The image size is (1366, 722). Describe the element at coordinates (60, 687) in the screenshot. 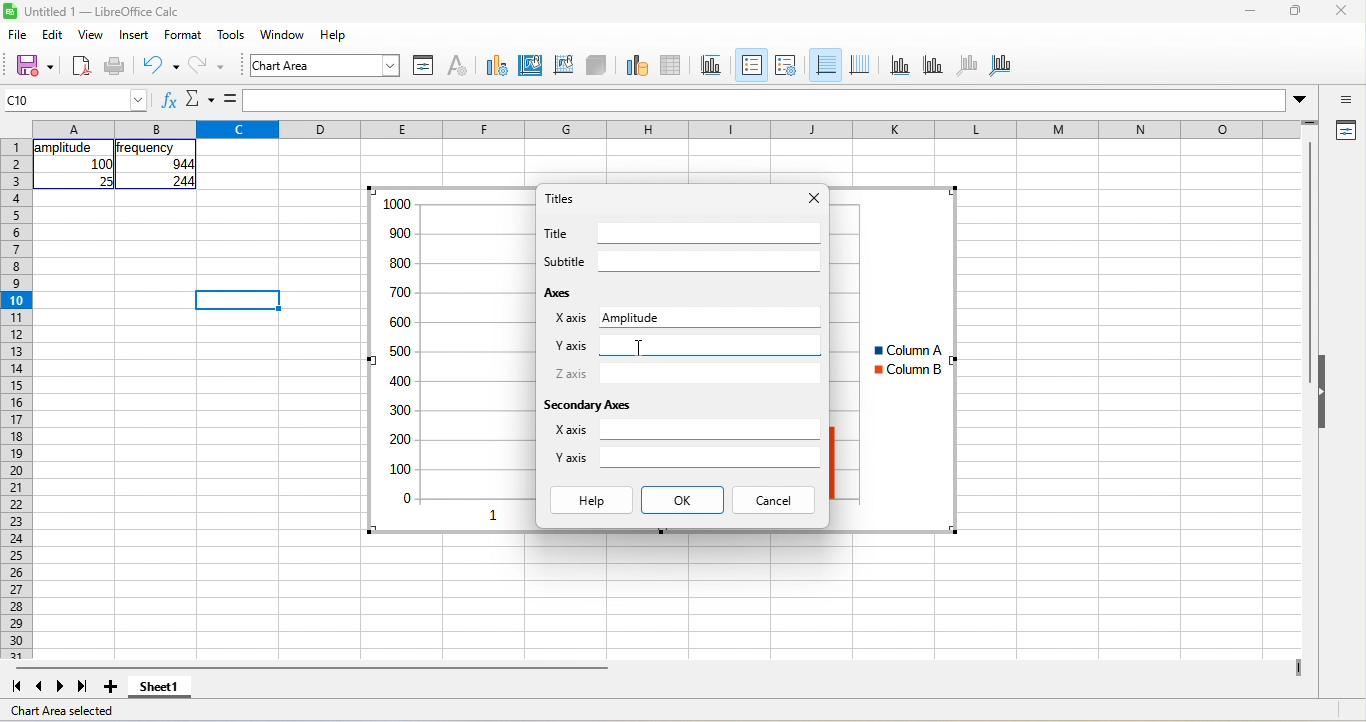

I see `next sheet` at that location.